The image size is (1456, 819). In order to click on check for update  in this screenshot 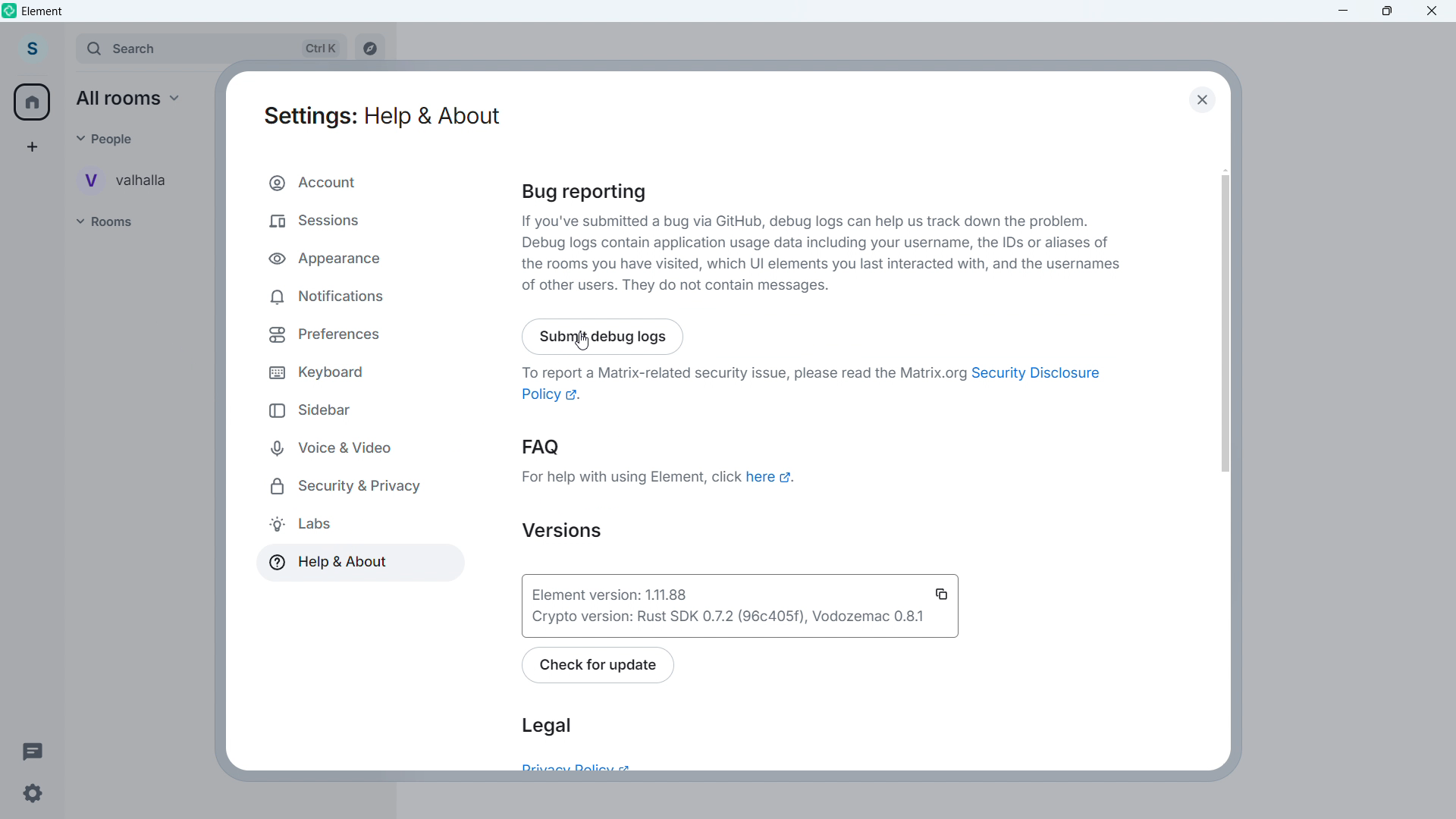, I will do `click(600, 666)`.